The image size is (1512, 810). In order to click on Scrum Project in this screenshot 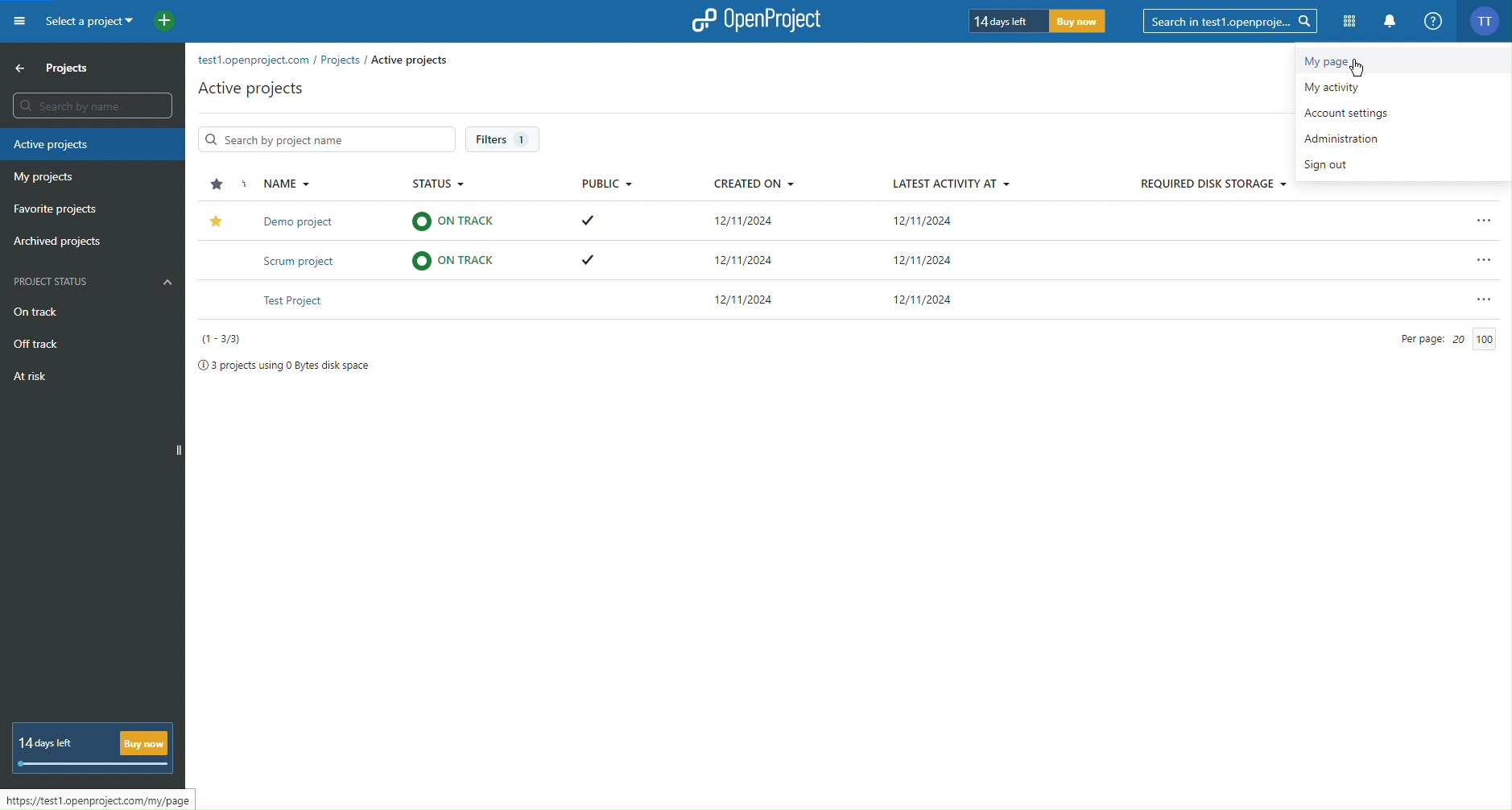, I will do `click(303, 261)`.